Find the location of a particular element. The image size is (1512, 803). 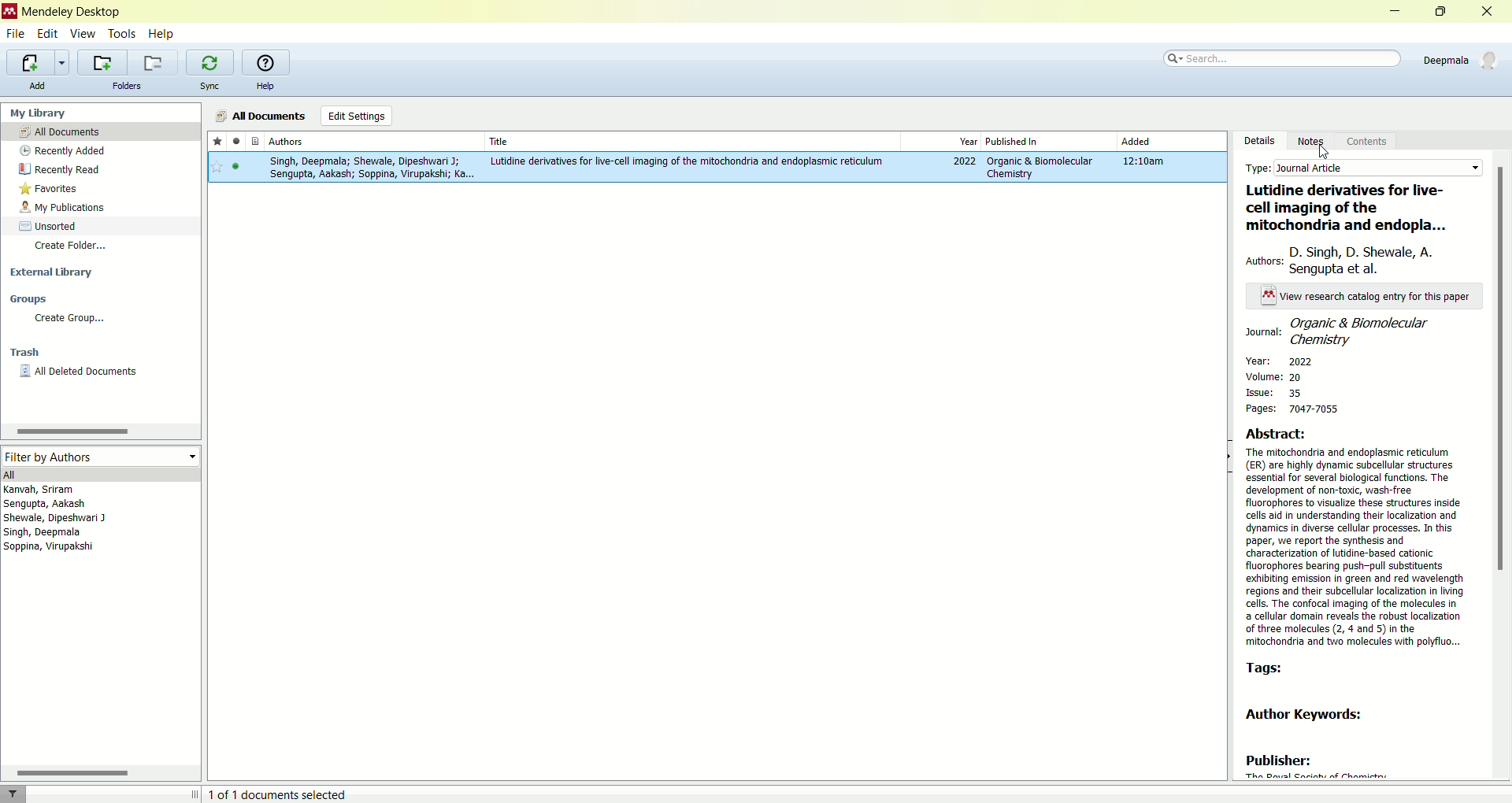

Organic & Biomolecular Chemistry is located at coordinates (1039, 167).